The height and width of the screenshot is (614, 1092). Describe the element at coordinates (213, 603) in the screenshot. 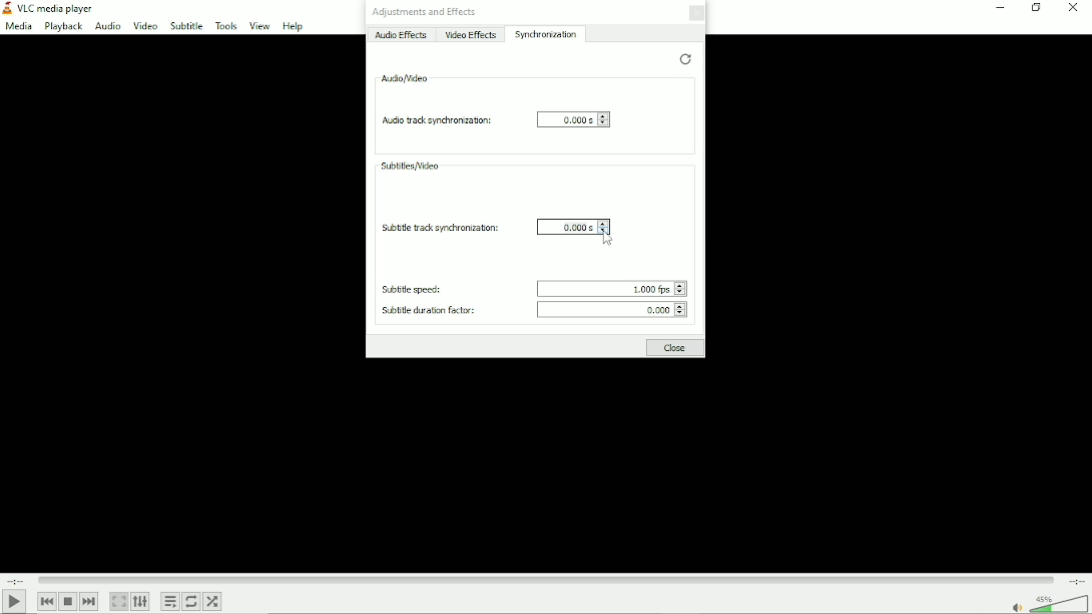

I see `Random` at that location.